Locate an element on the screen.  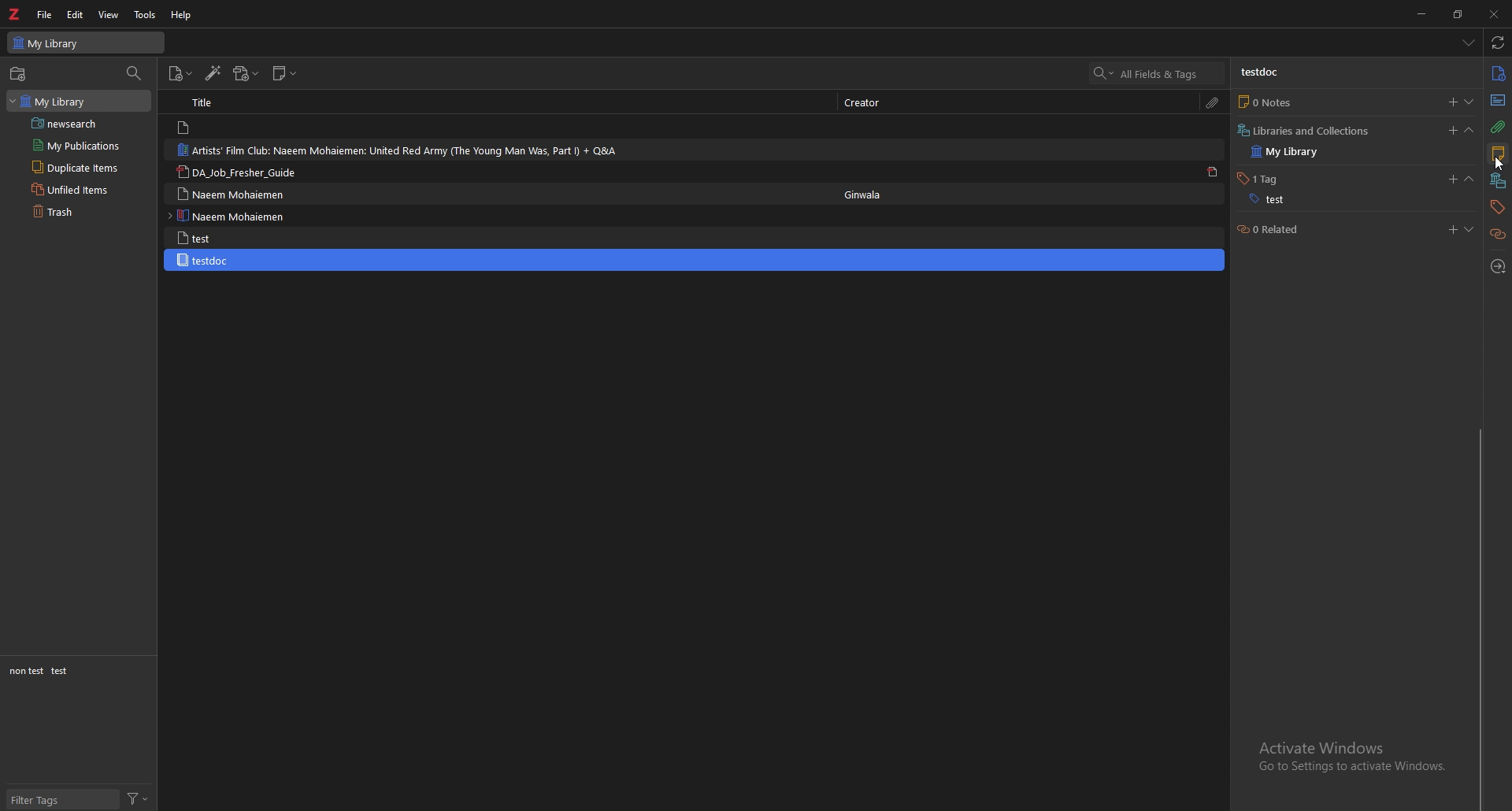
unfiled items is located at coordinates (81, 190).